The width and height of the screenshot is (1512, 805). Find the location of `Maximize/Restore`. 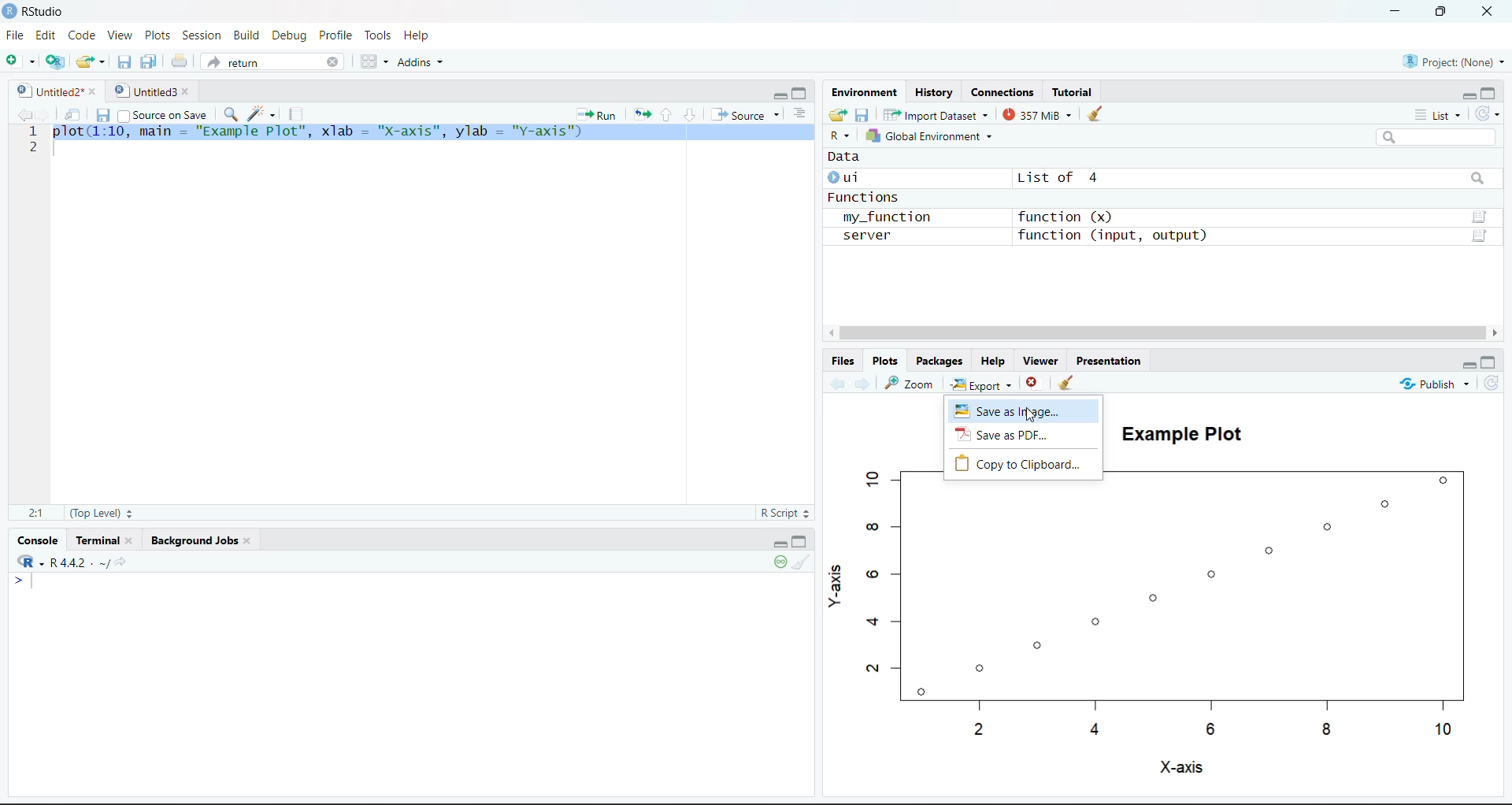

Maximize/Restore is located at coordinates (1489, 92).